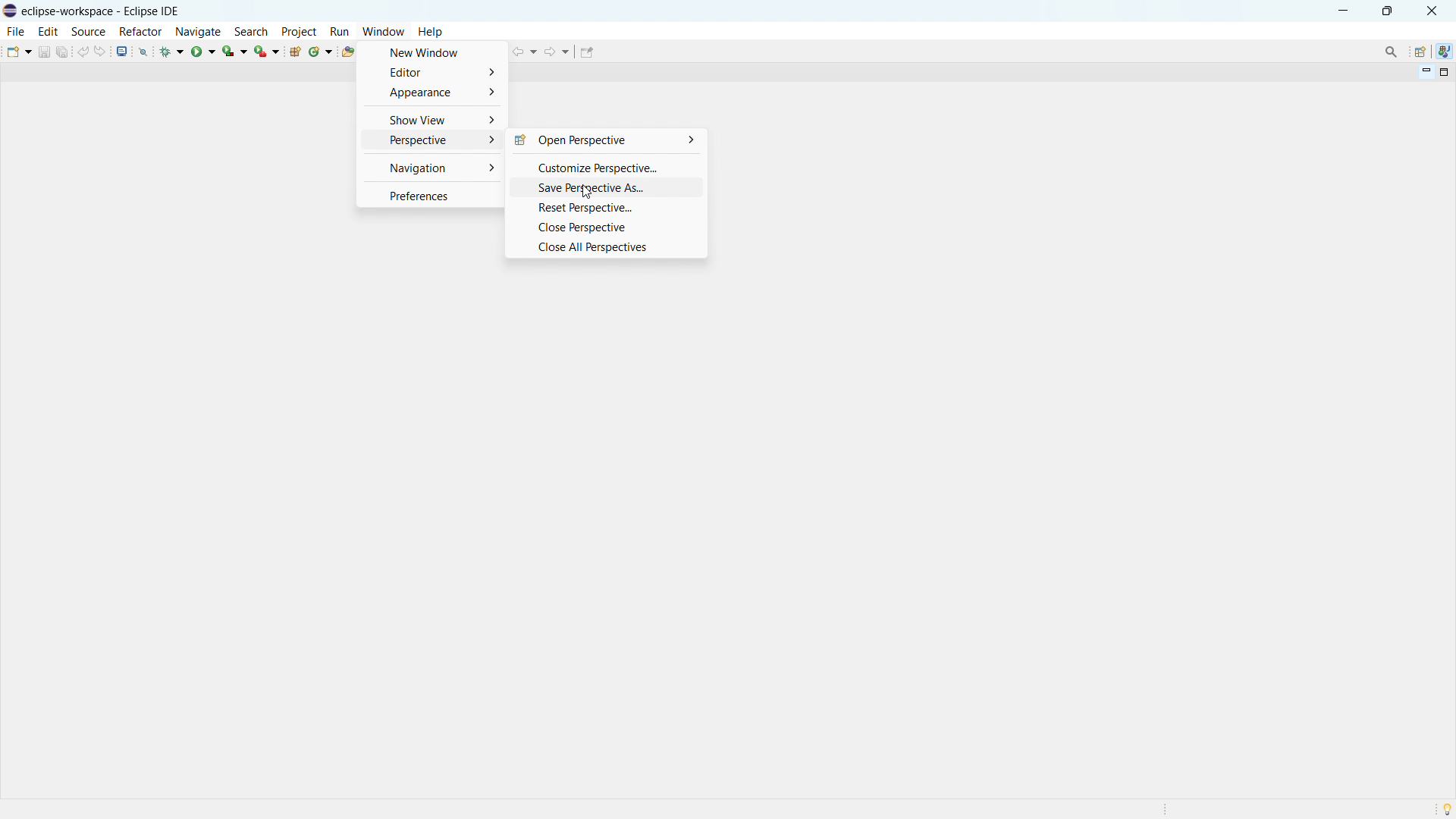 The width and height of the screenshot is (1456, 819). What do you see at coordinates (295, 52) in the screenshot?
I see `new java package` at bounding box center [295, 52].